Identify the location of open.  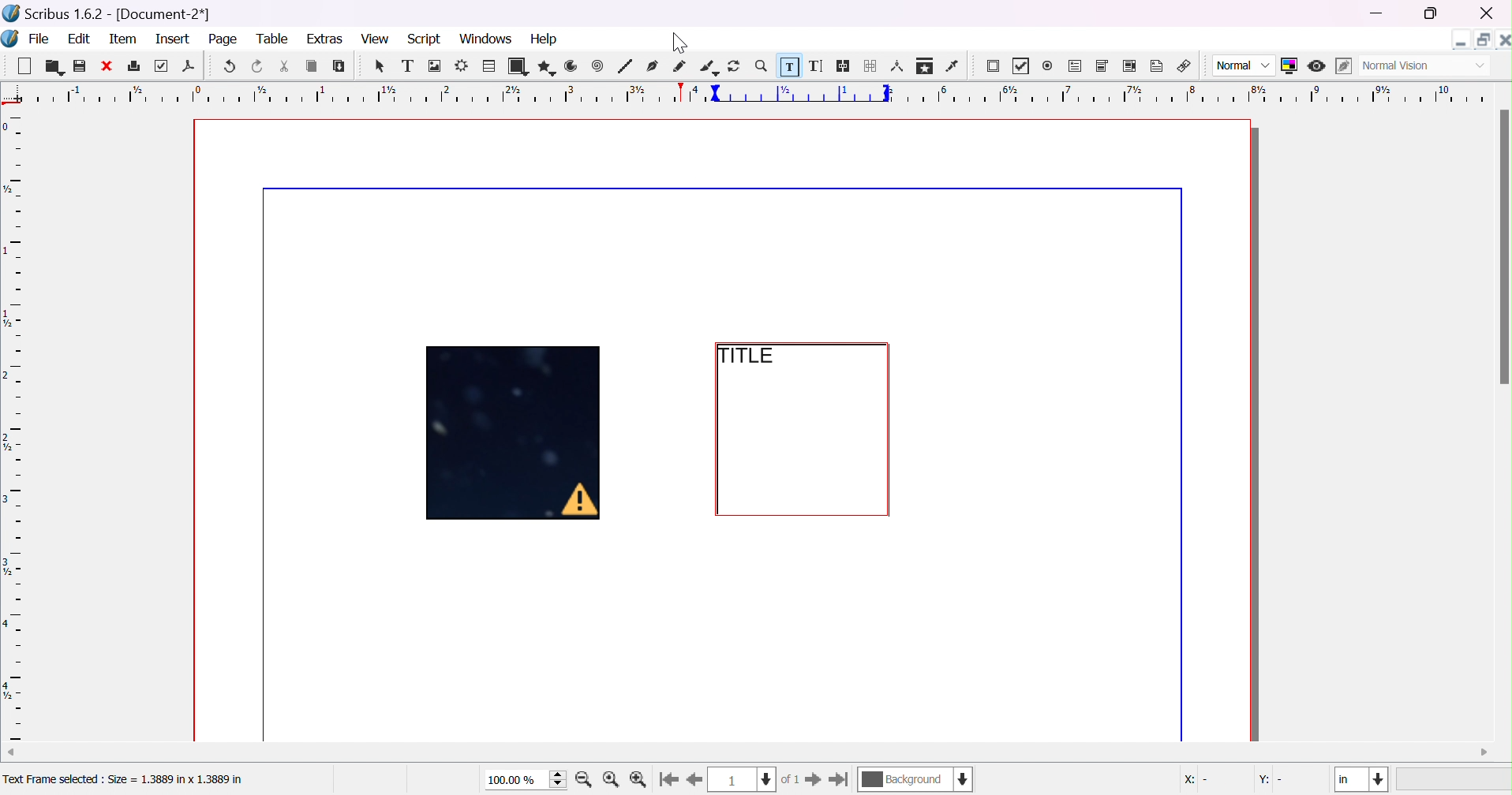
(51, 67).